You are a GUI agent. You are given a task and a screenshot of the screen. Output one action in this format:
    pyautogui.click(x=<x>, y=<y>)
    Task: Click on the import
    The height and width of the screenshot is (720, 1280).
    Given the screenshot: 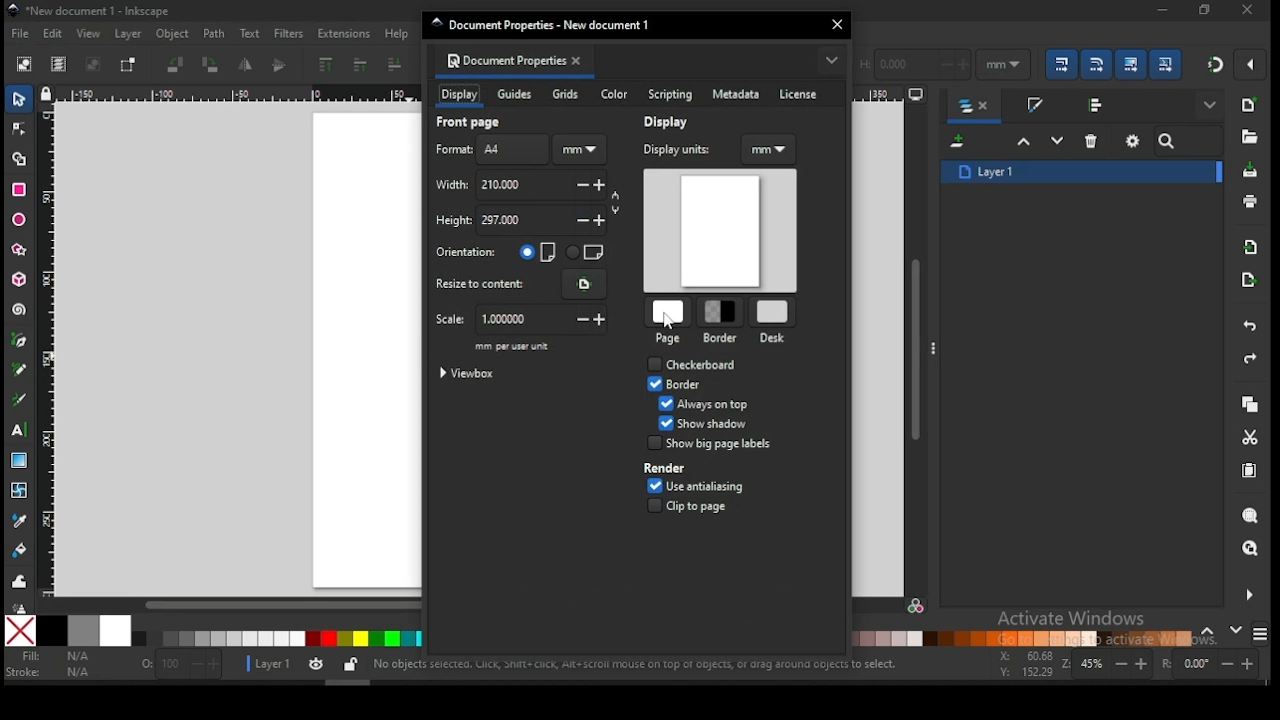 What is the action you would take?
    pyautogui.click(x=1251, y=247)
    